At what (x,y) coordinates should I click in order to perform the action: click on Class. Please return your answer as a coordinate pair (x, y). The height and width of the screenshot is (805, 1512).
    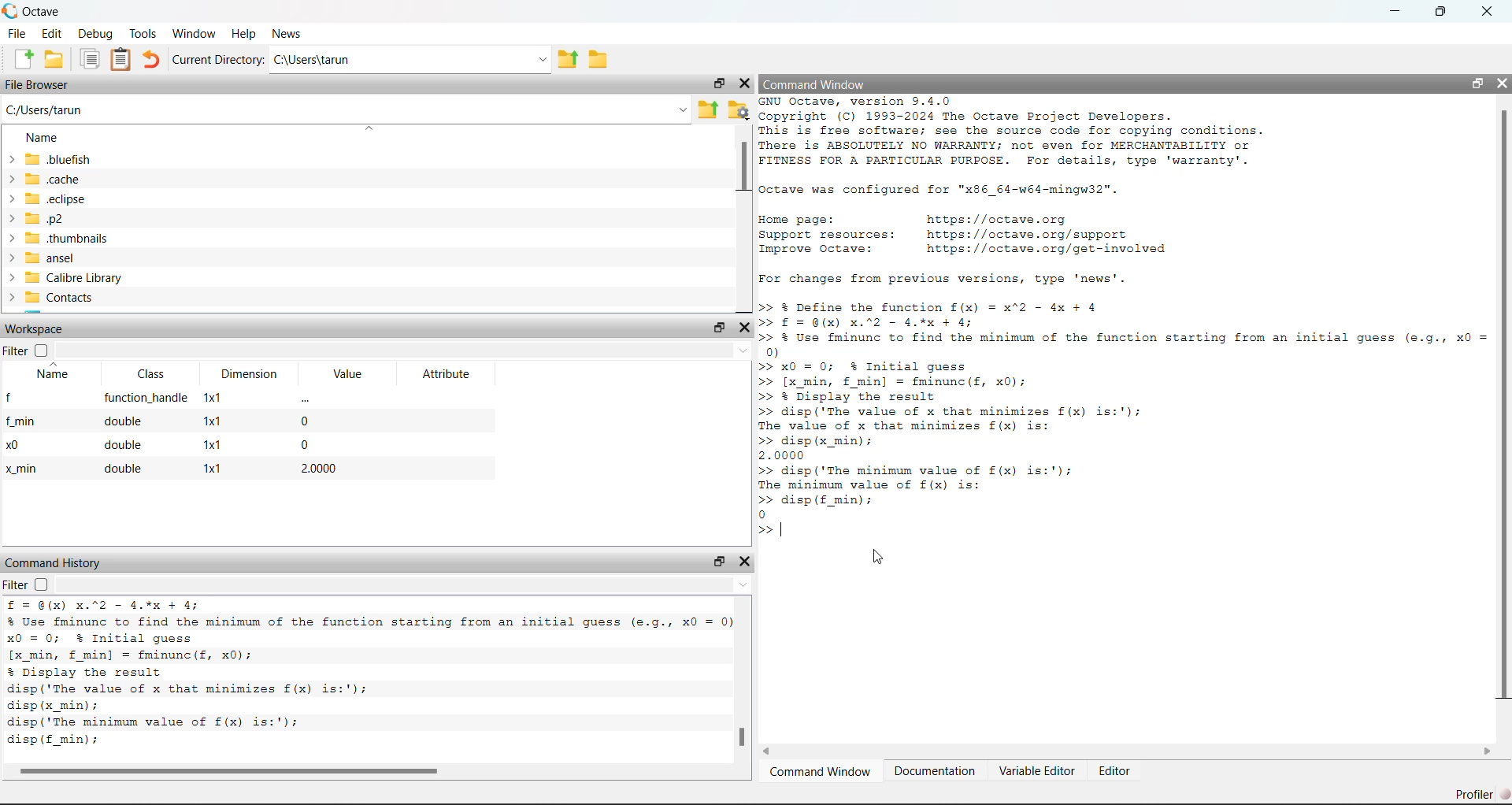
    Looking at the image, I should click on (150, 372).